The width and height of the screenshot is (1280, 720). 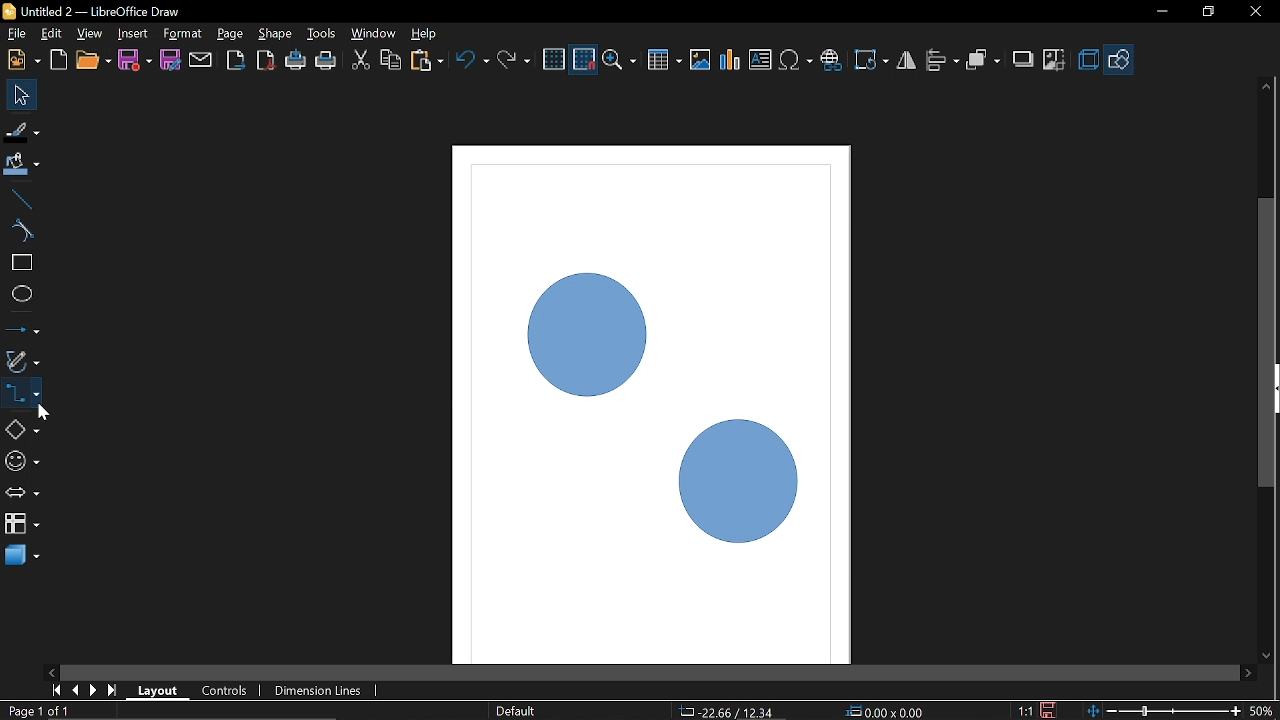 What do you see at coordinates (1051, 709) in the screenshot?
I see `Save` at bounding box center [1051, 709].